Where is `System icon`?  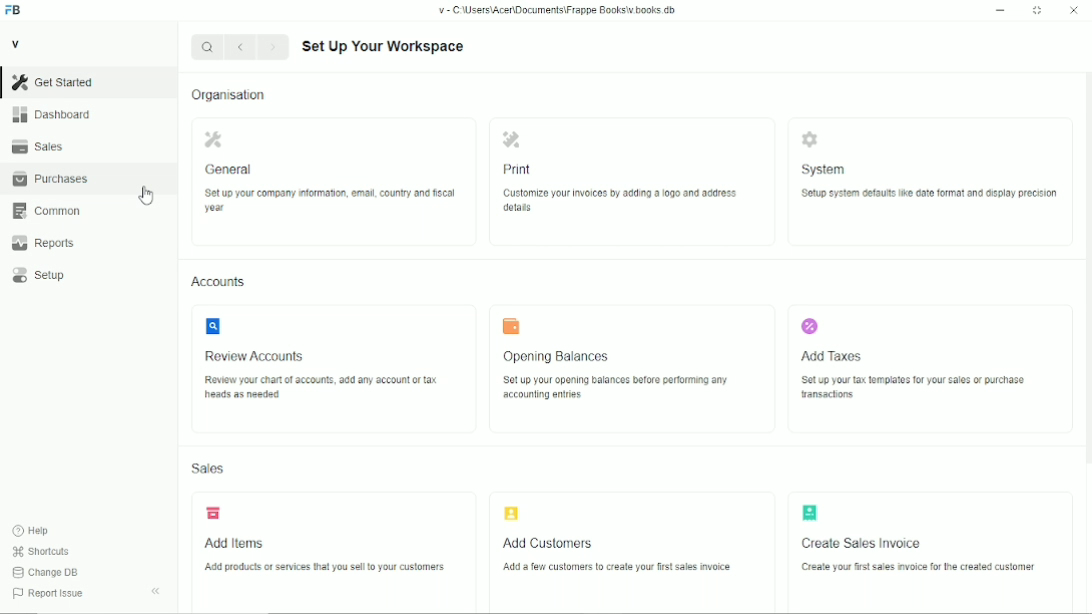
System icon is located at coordinates (810, 139).